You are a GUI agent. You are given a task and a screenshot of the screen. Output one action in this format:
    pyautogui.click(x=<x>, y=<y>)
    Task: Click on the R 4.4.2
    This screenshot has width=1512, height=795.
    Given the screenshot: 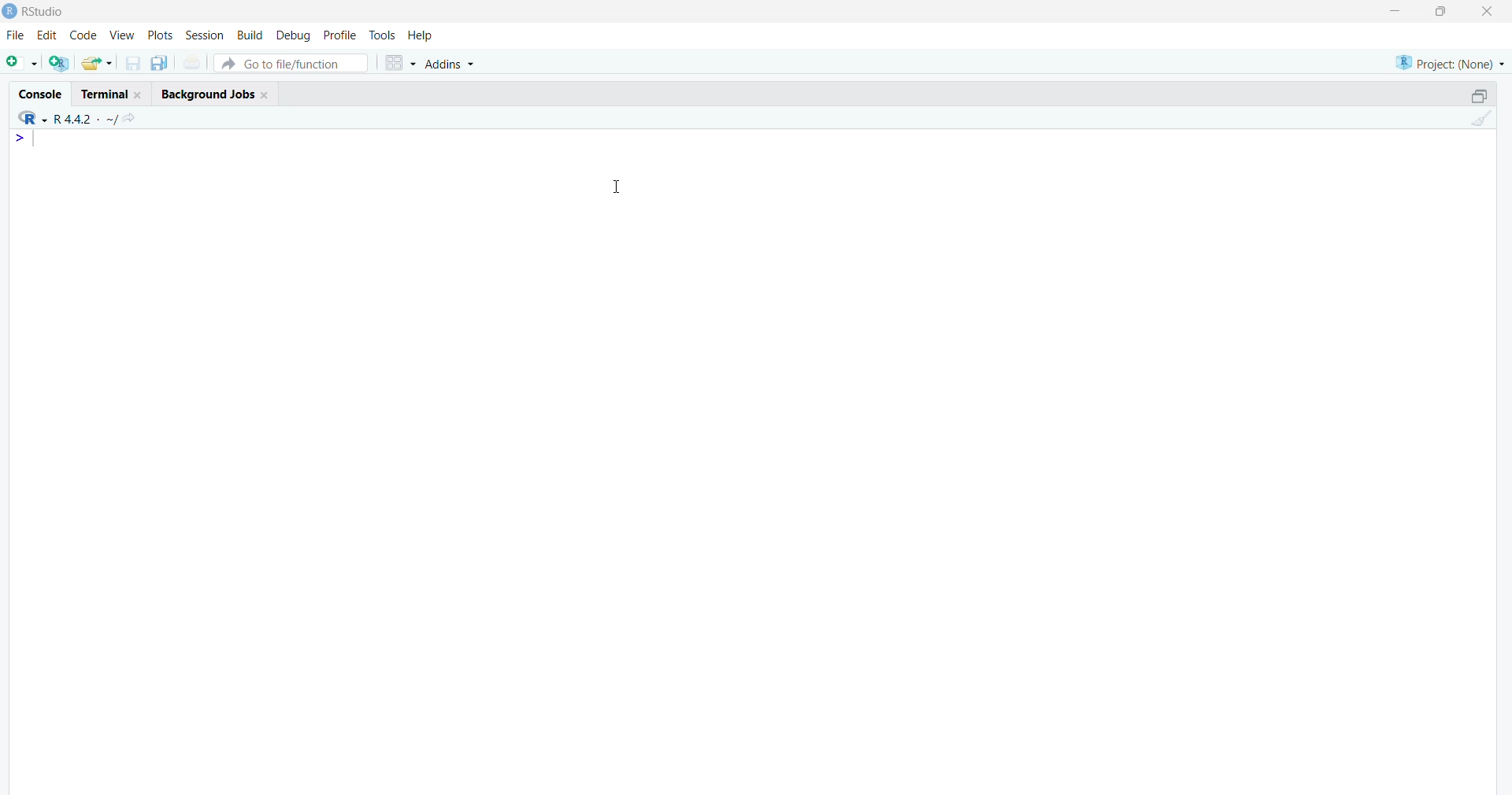 What is the action you would take?
    pyautogui.click(x=63, y=119)
    